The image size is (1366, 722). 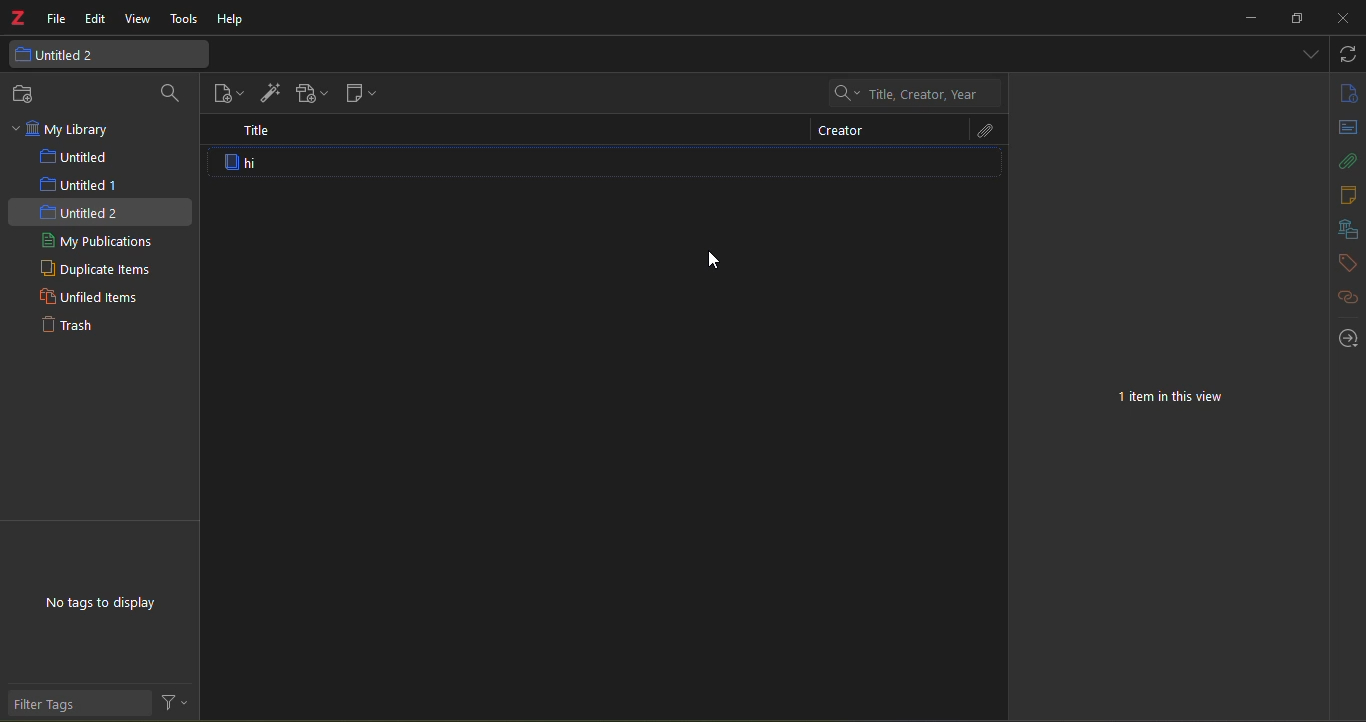 What do you see at coordinates (1312, 53) in the screenshot?
I see `dropdown` at bounding box center [1312, 53].